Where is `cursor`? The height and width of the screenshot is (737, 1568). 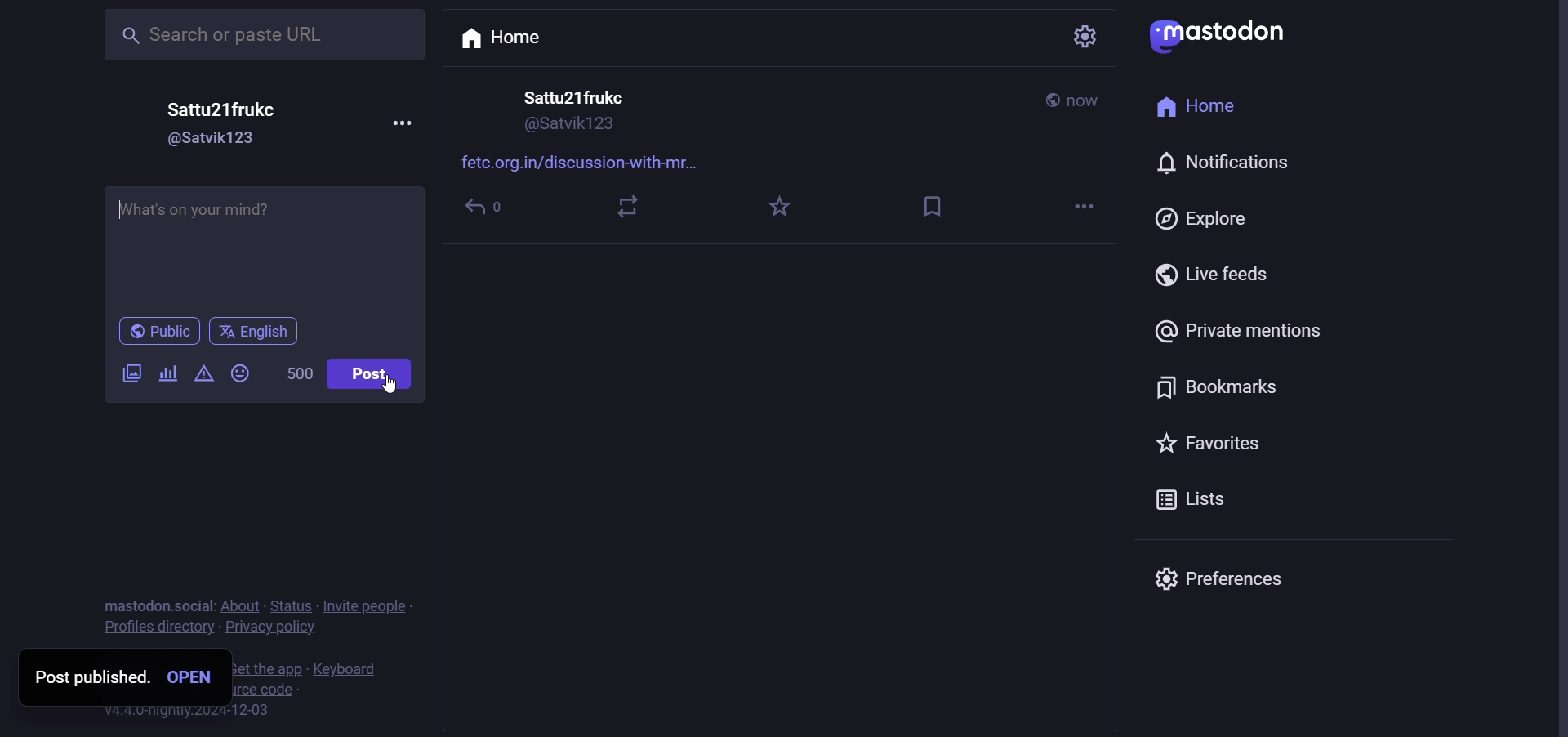 cursor is located at coordinates (394, 387).